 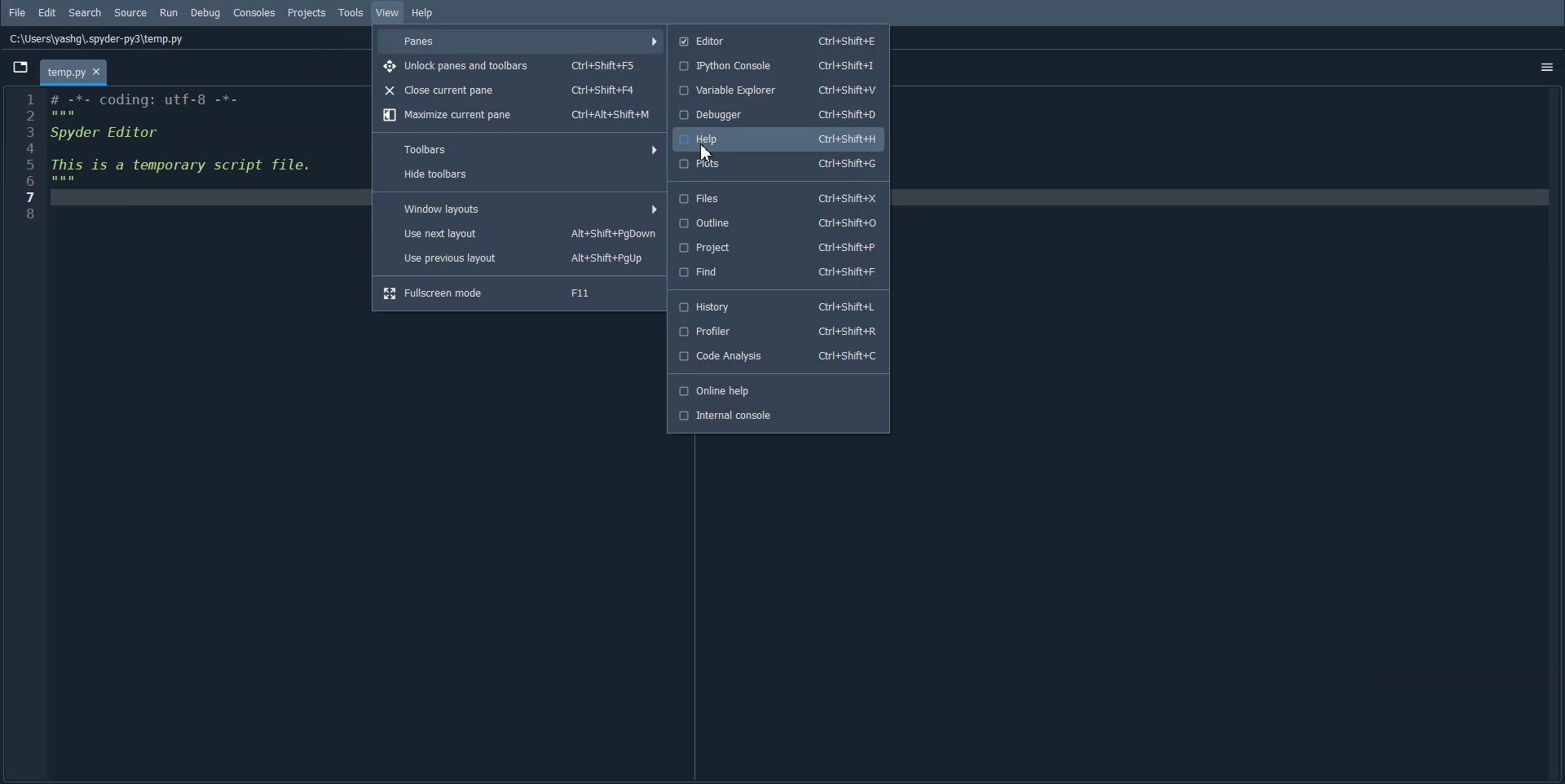 What do you see at coordinates (520, 148) in the screenshot?
I see `Toolbars` at bounding box center [520, 148].